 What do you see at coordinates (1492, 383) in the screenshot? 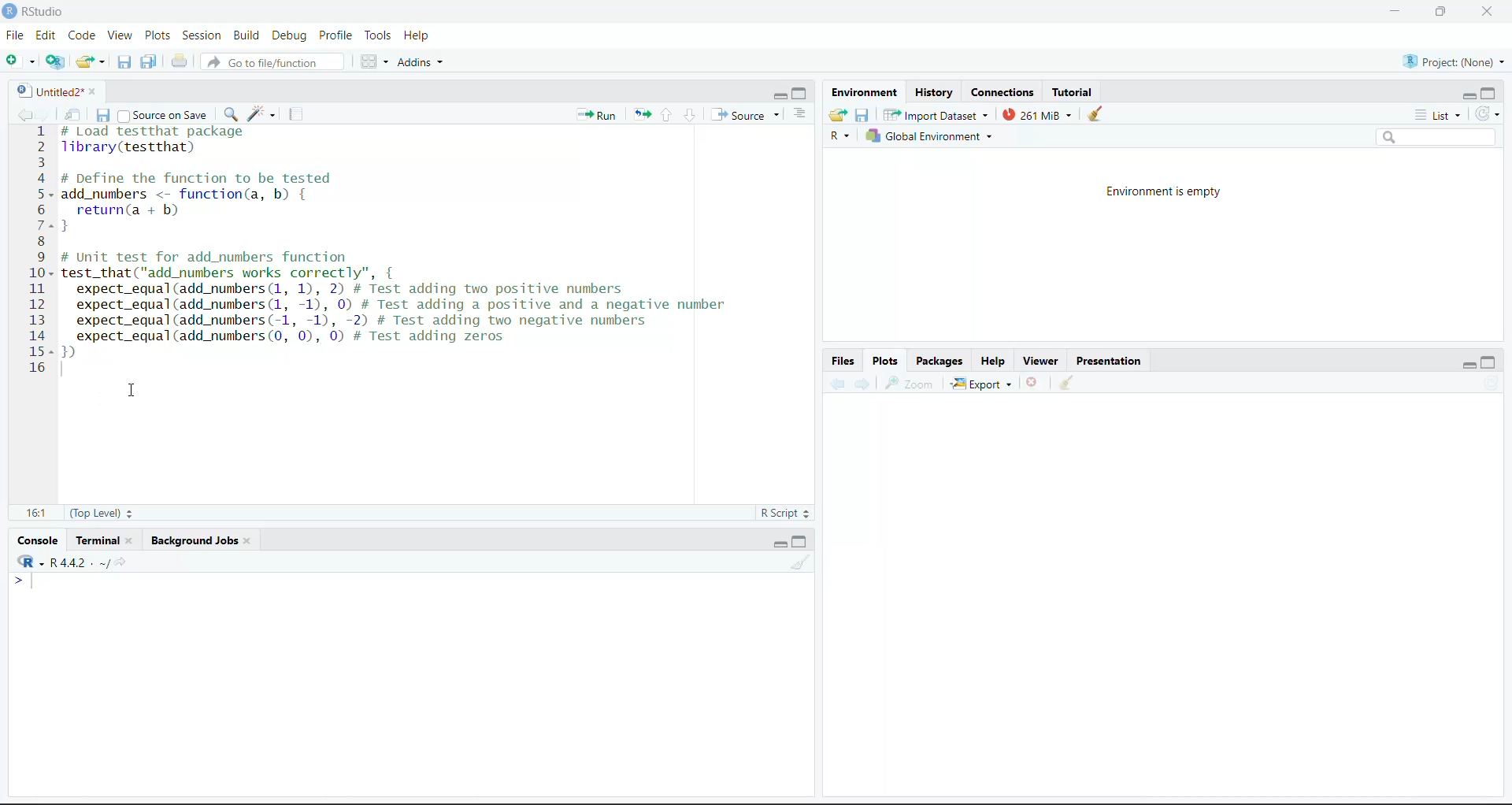
I see `Refresh` at bounding box center [1492, 383].